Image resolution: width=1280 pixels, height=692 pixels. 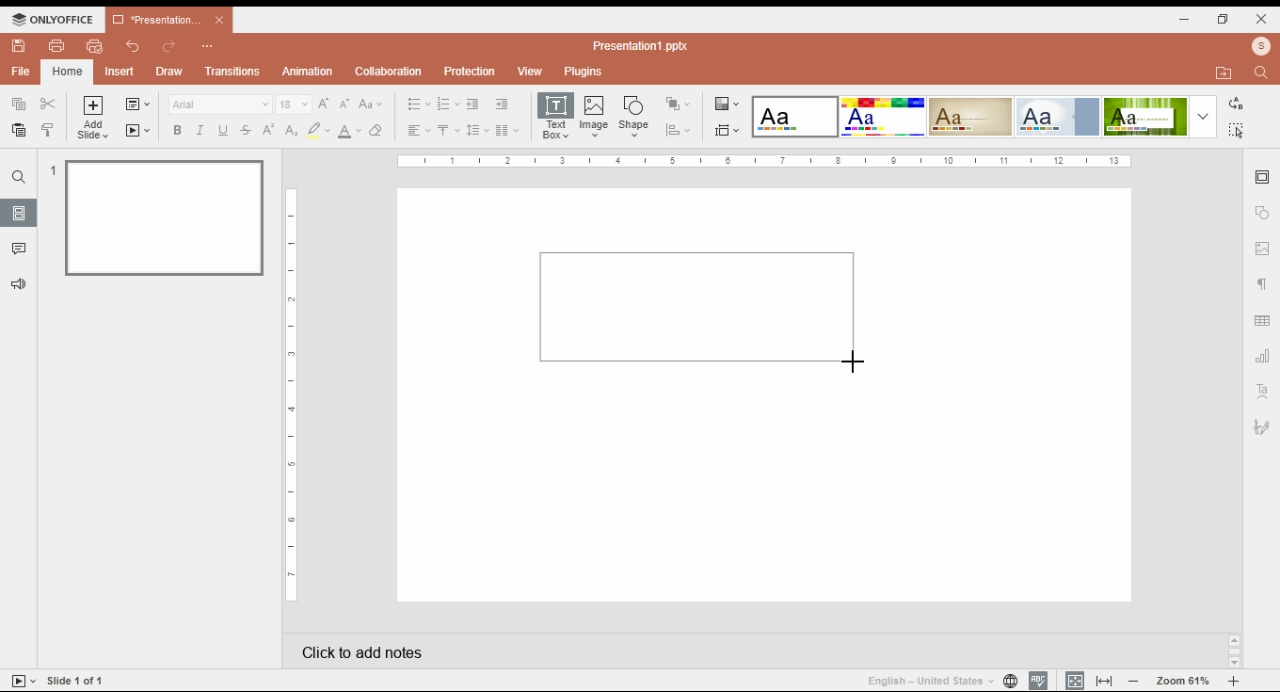 I want to click on mouse pointer, so click(x=853, y=361).